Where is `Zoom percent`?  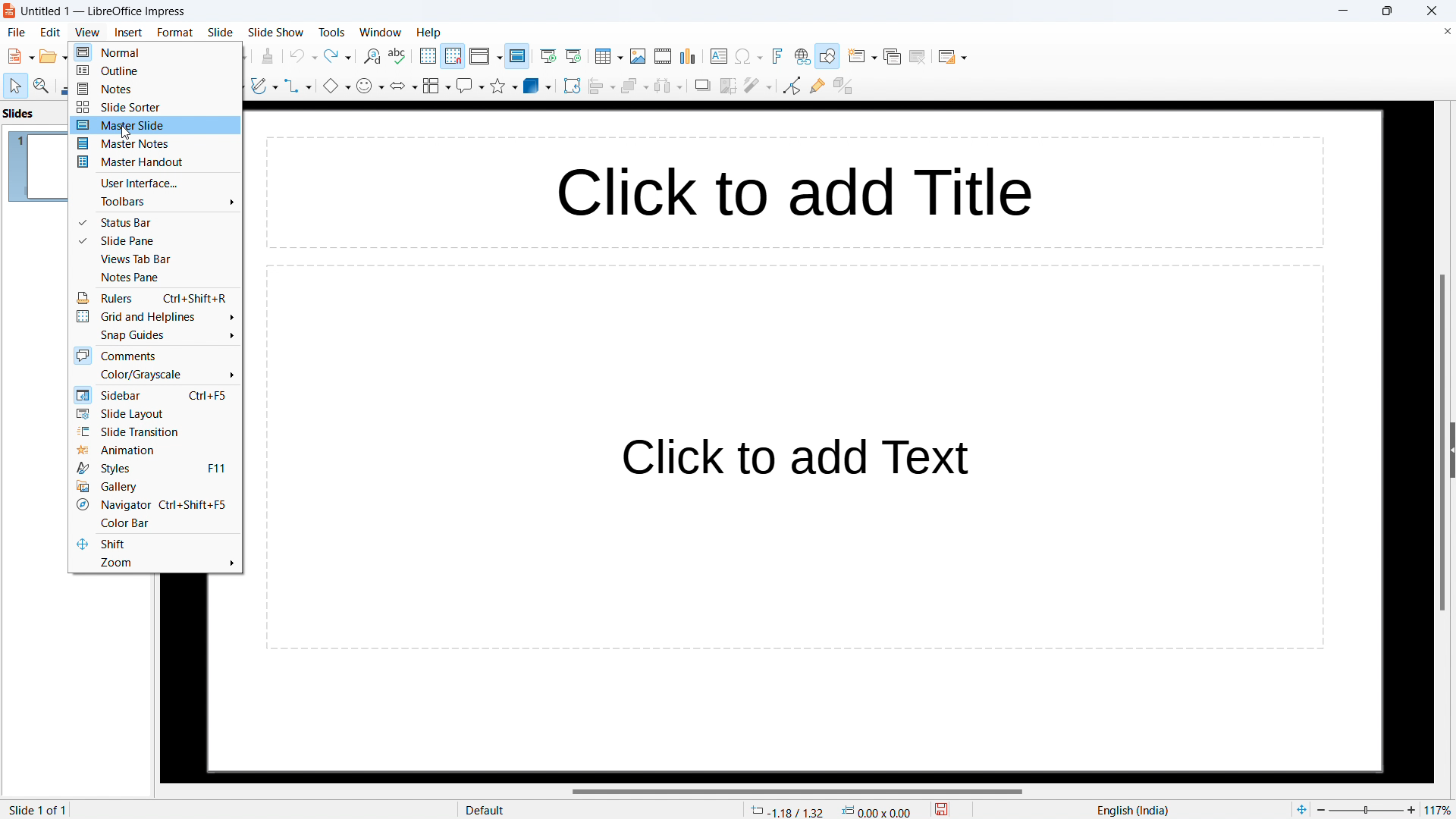
Zoom percent is located at coordinates (1367, 810).